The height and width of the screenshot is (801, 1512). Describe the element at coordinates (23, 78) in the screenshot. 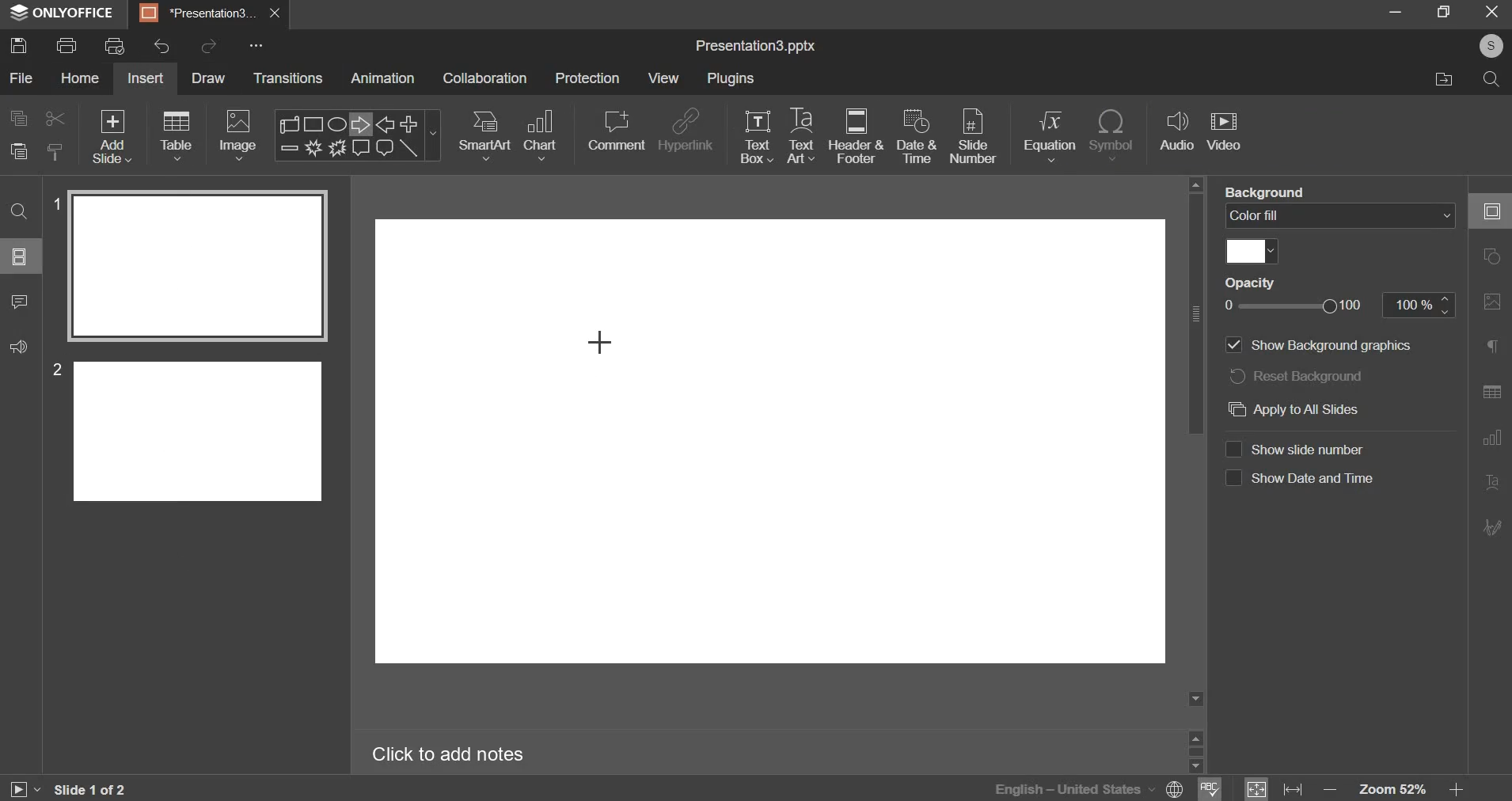

I see `file` at that location.